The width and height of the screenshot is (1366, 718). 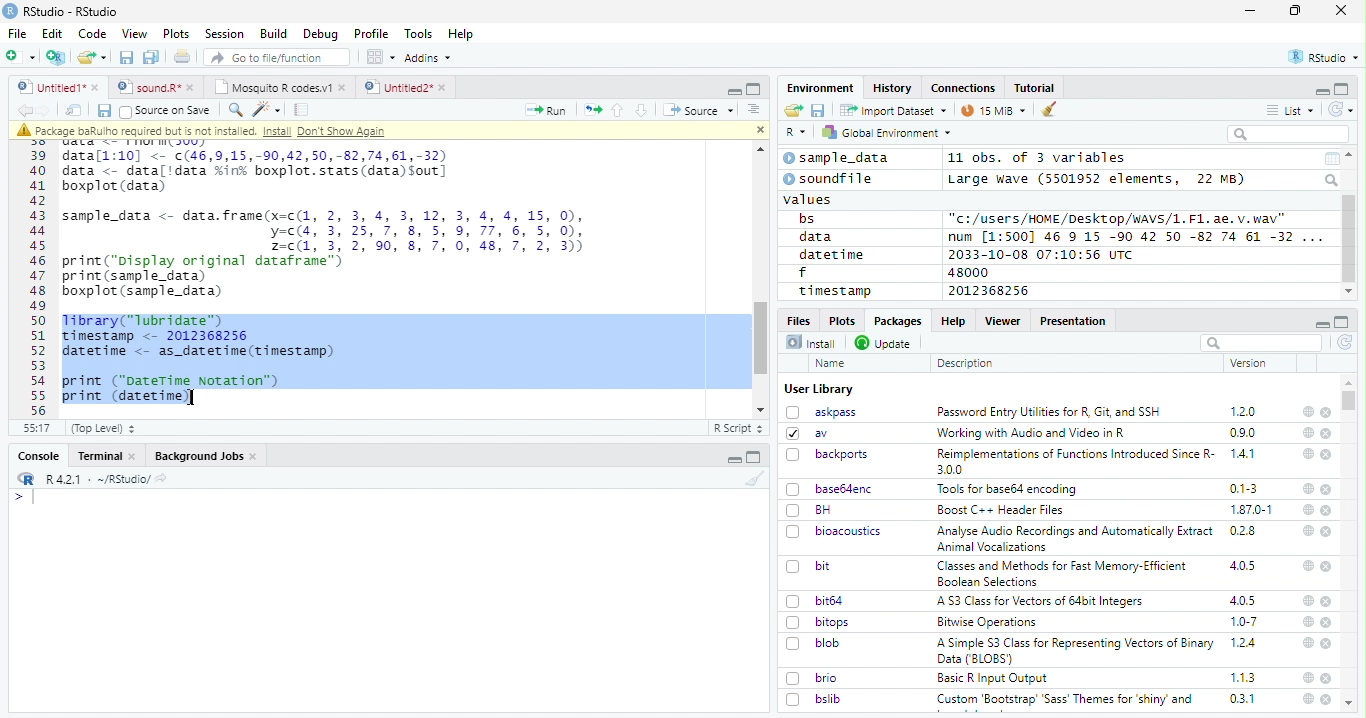 What do you see at coordinates (989, 622) in the screenshot?
I see `Bitwise Operations` at bounding box center [989, 622].